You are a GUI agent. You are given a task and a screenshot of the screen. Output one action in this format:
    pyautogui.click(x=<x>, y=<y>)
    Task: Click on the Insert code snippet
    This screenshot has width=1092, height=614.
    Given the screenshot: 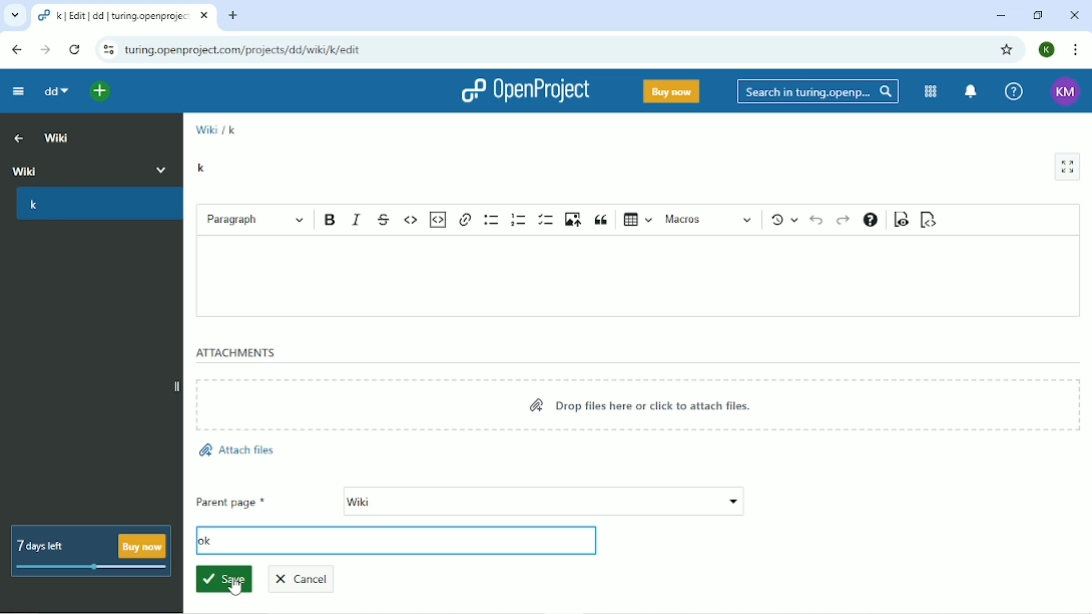 What is the action you would take?
    pyautogui.click(x=439, y=219)
    